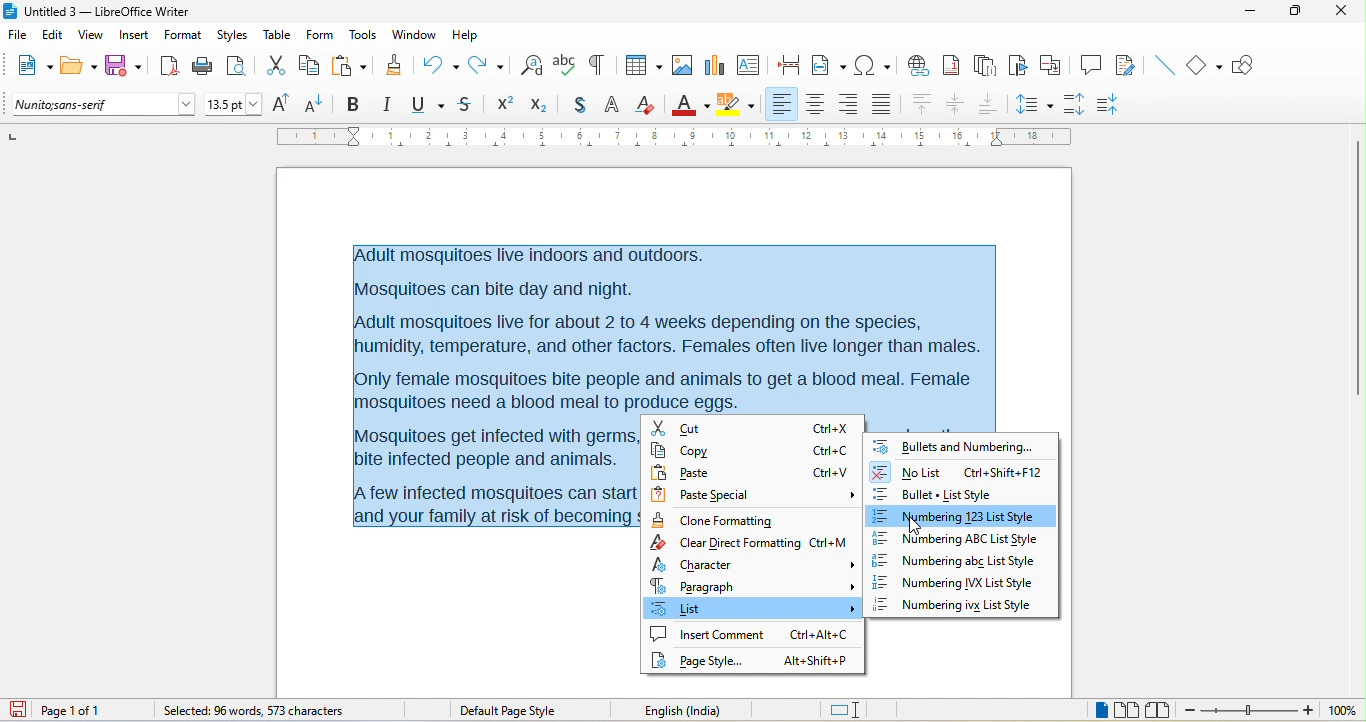 The height and width of the screenshot is (722, 1366). What do you see at coordinates (958, 472) in the screenshot?
I see `no list` at bounding box center [958, 472].